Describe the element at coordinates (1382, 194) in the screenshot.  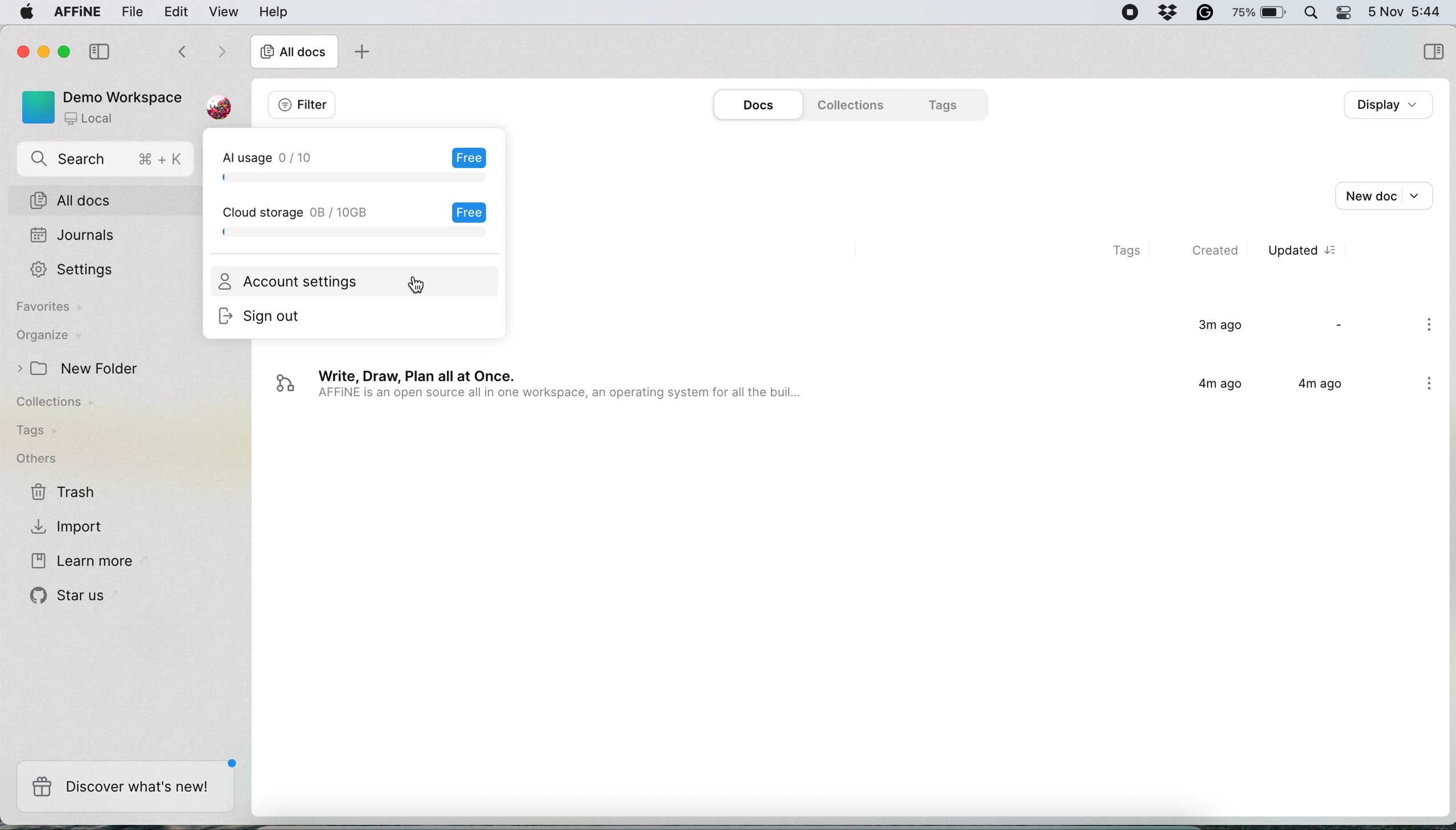
I see `new doc` at that location.